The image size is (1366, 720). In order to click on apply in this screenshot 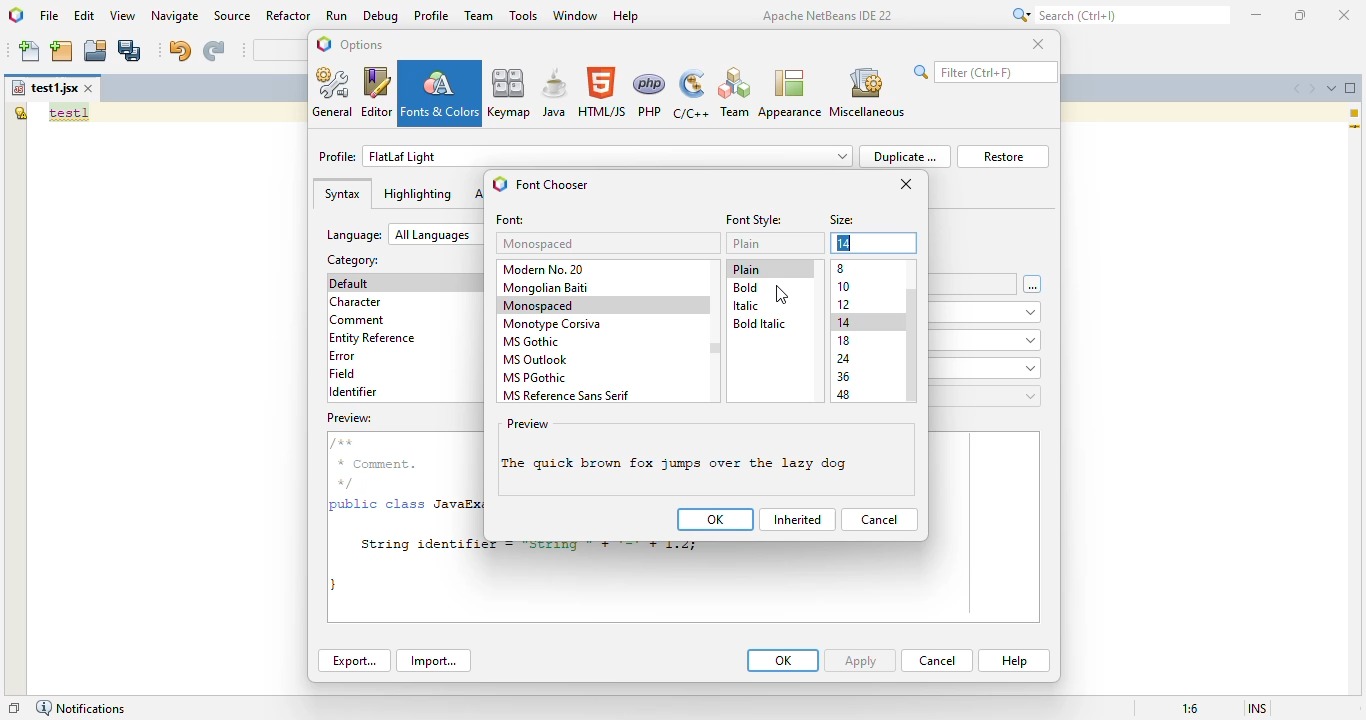, I will do `click(862, 660)`.